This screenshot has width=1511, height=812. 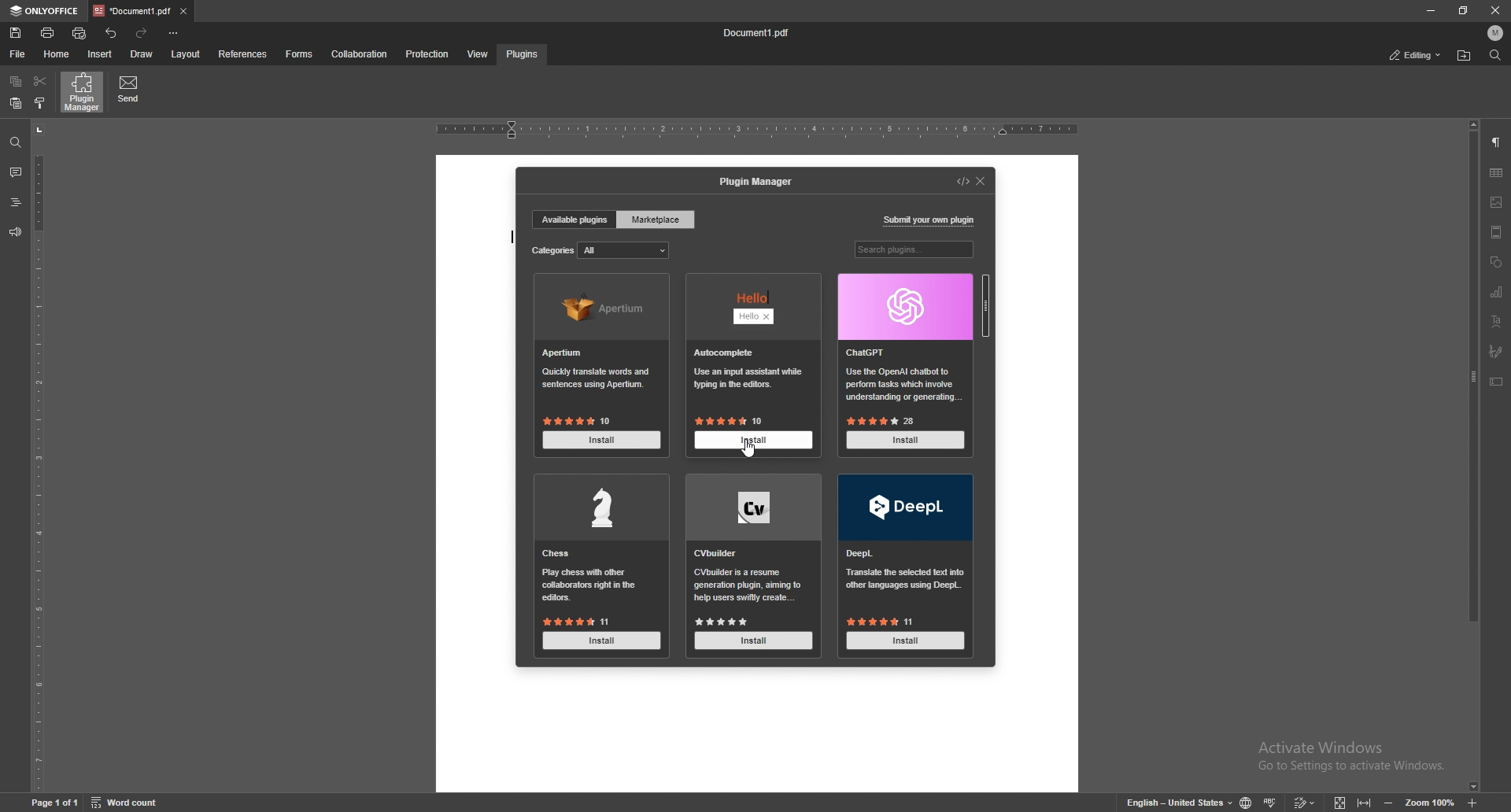 What do you see at coordinates (244, 54) in the screenshot?
I see `references` at bounding box center [244, 54].